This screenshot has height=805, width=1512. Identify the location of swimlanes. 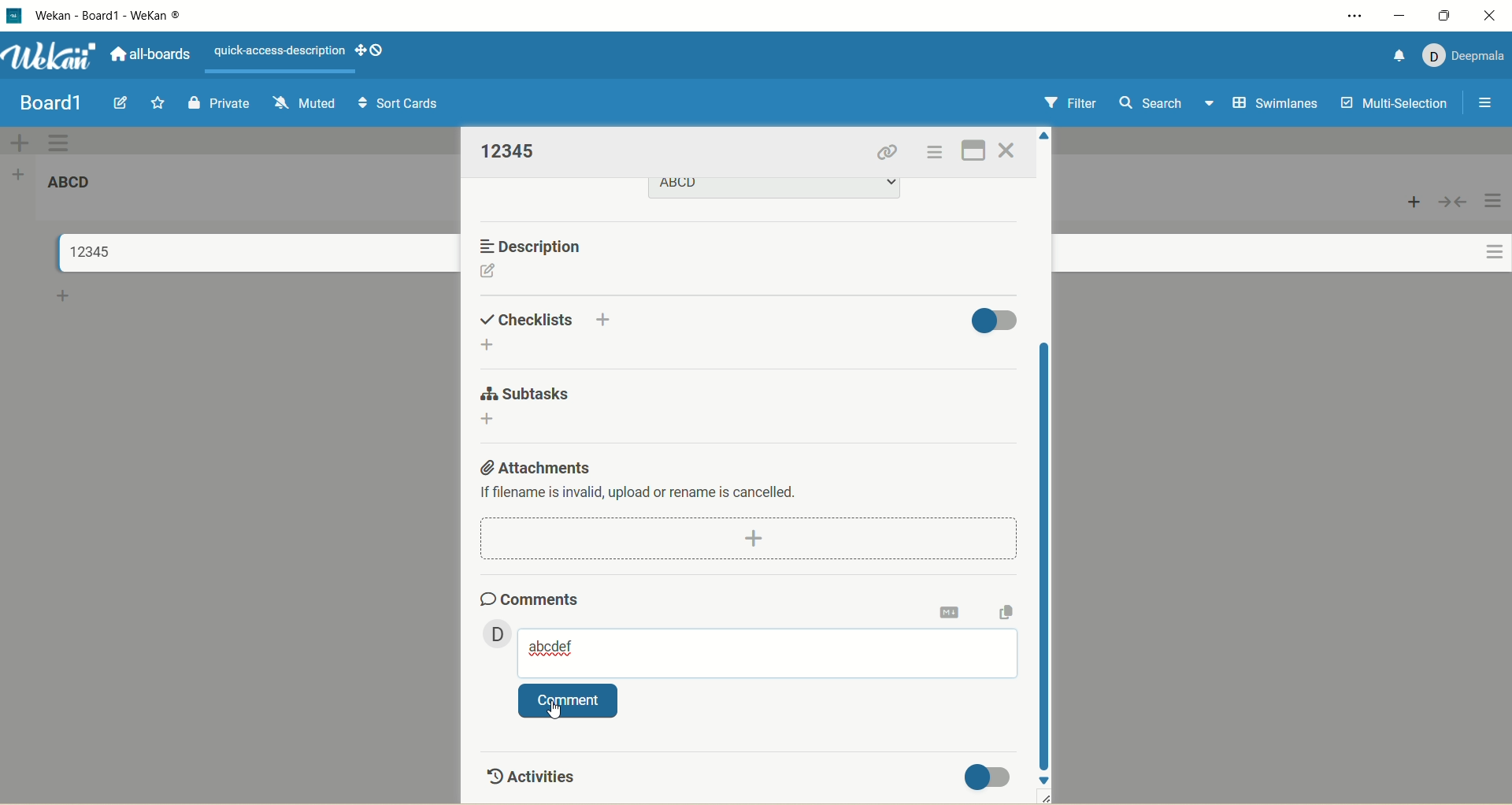
(1277, 105).